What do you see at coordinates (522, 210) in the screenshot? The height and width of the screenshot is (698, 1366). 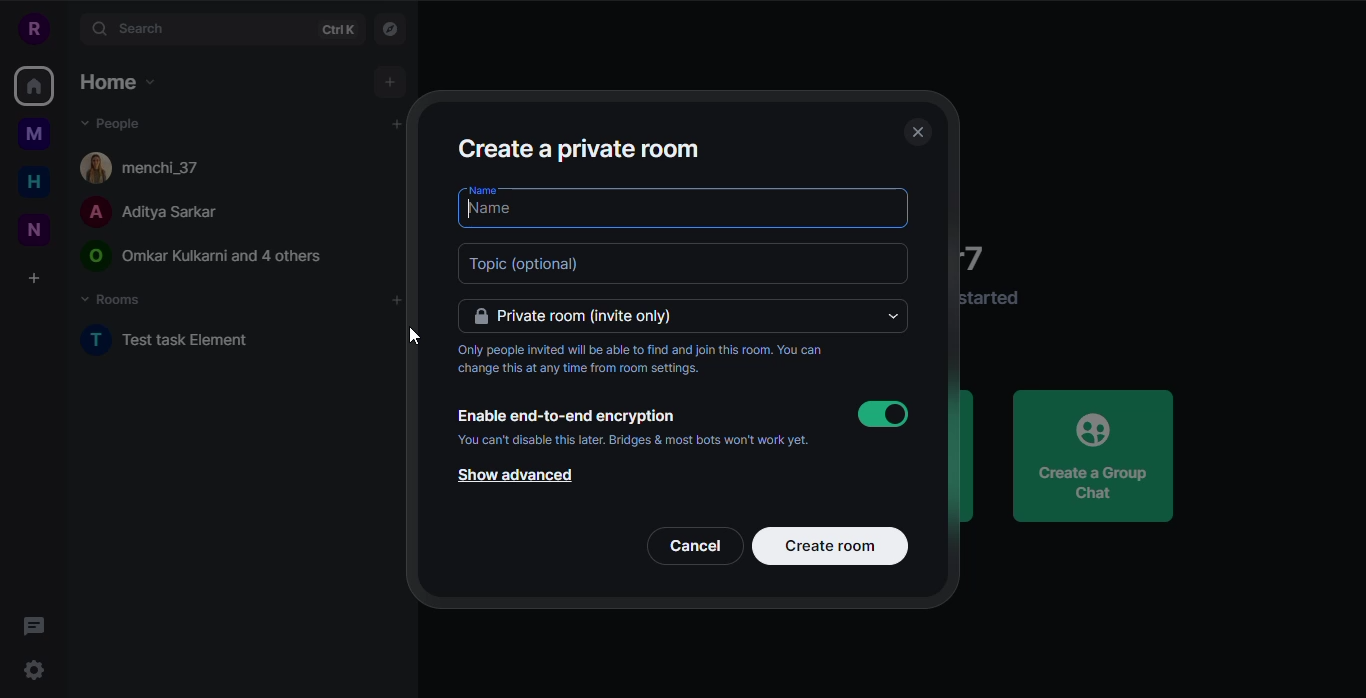 I see `type name` at bounding box center [522, 210].